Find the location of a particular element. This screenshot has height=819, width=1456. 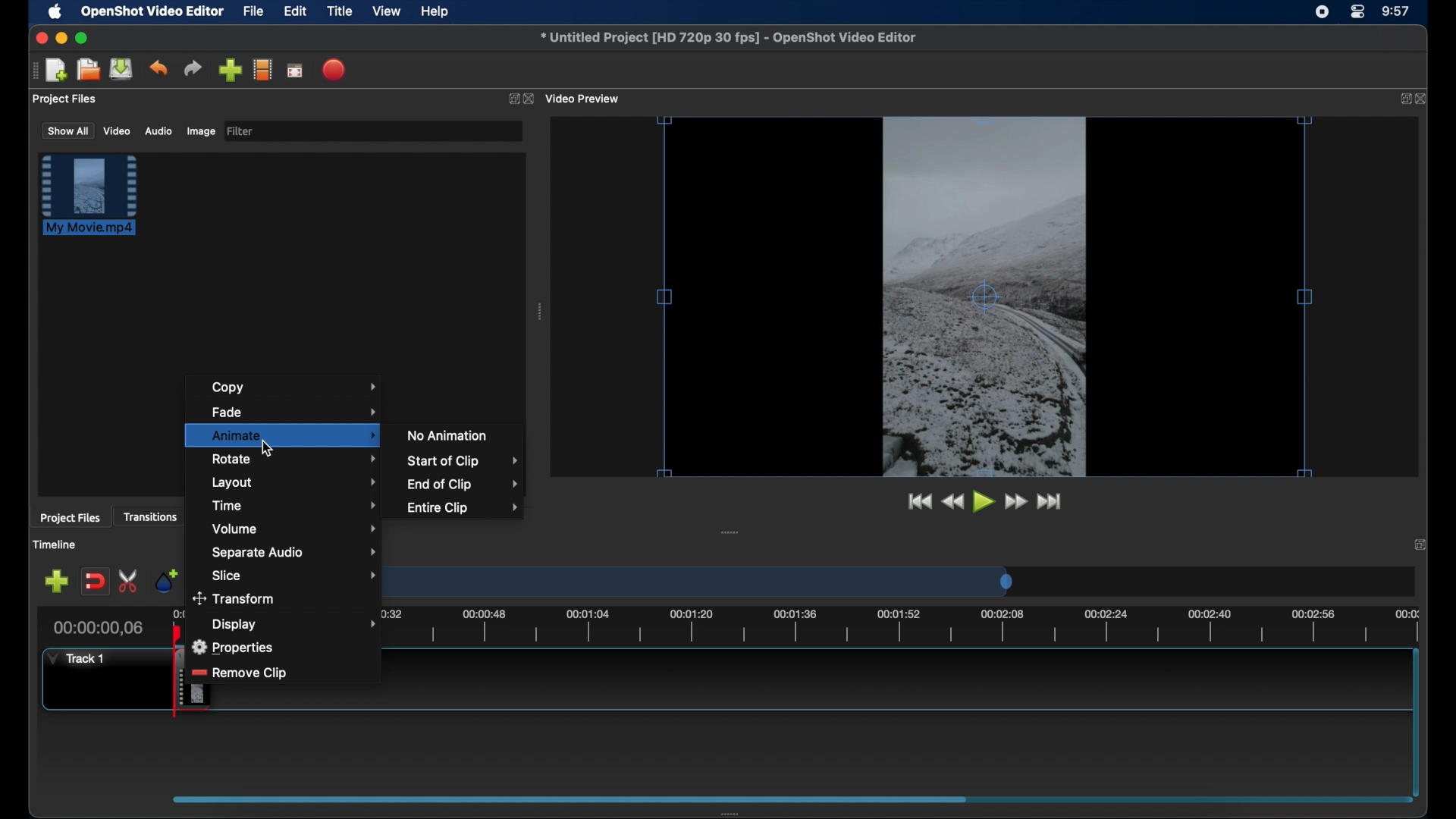

disable snapping is located at coordinates (95, 582).